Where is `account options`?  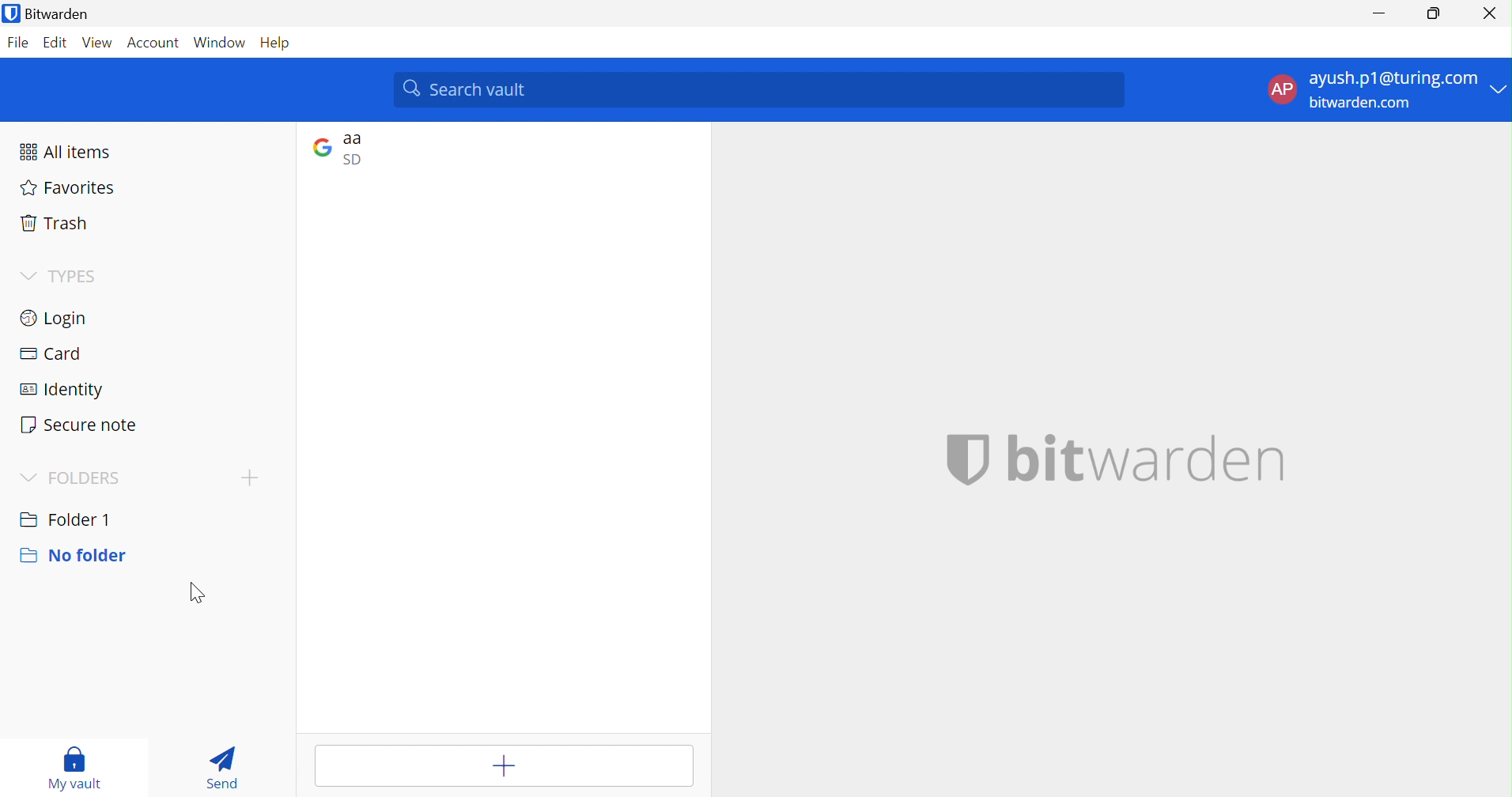 account options is located at coordinates (1391, 90).